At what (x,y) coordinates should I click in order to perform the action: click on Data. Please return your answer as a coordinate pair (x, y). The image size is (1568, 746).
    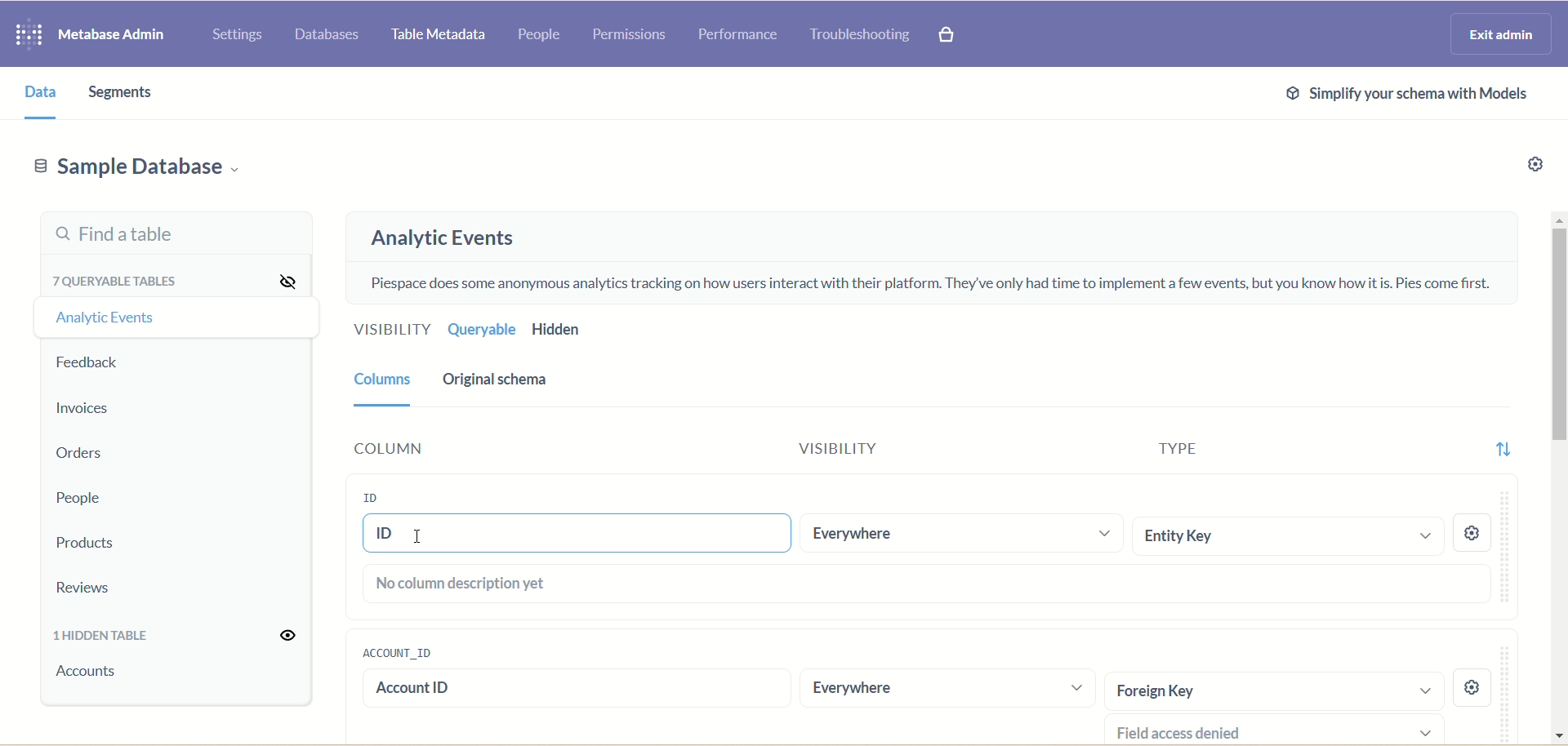
    Looking at the image, I should click on (36, 92).